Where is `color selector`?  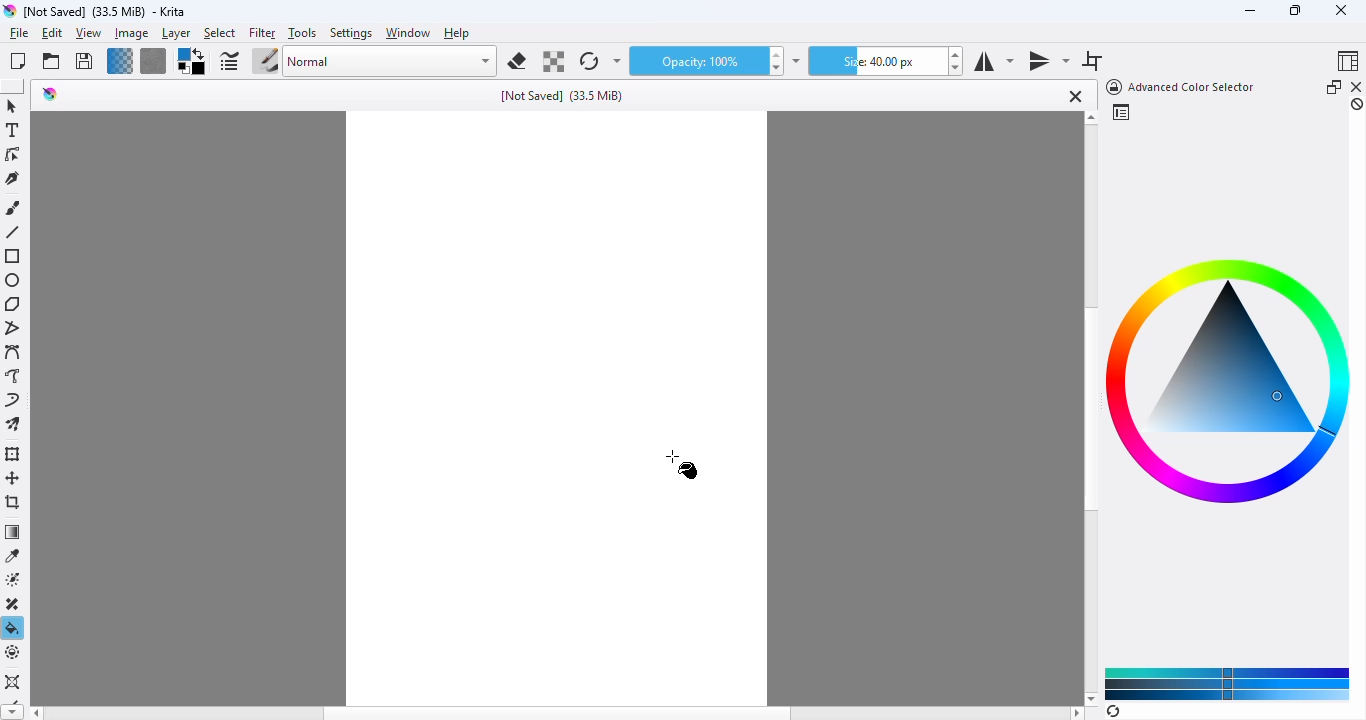 color selector is located at coordinates (1120, 112).